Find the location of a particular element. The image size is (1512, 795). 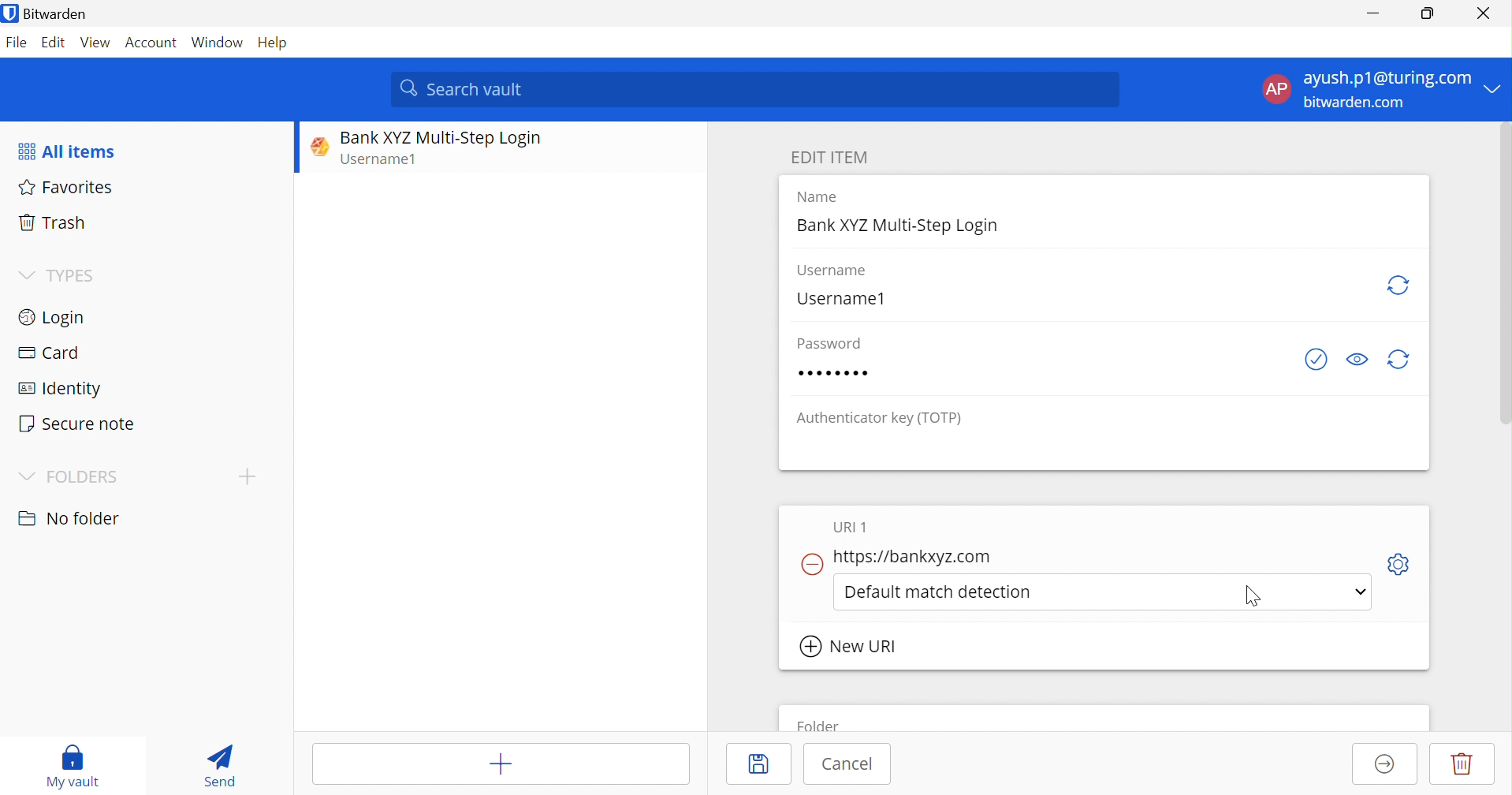

Trash is located at coordinates (51, 220).